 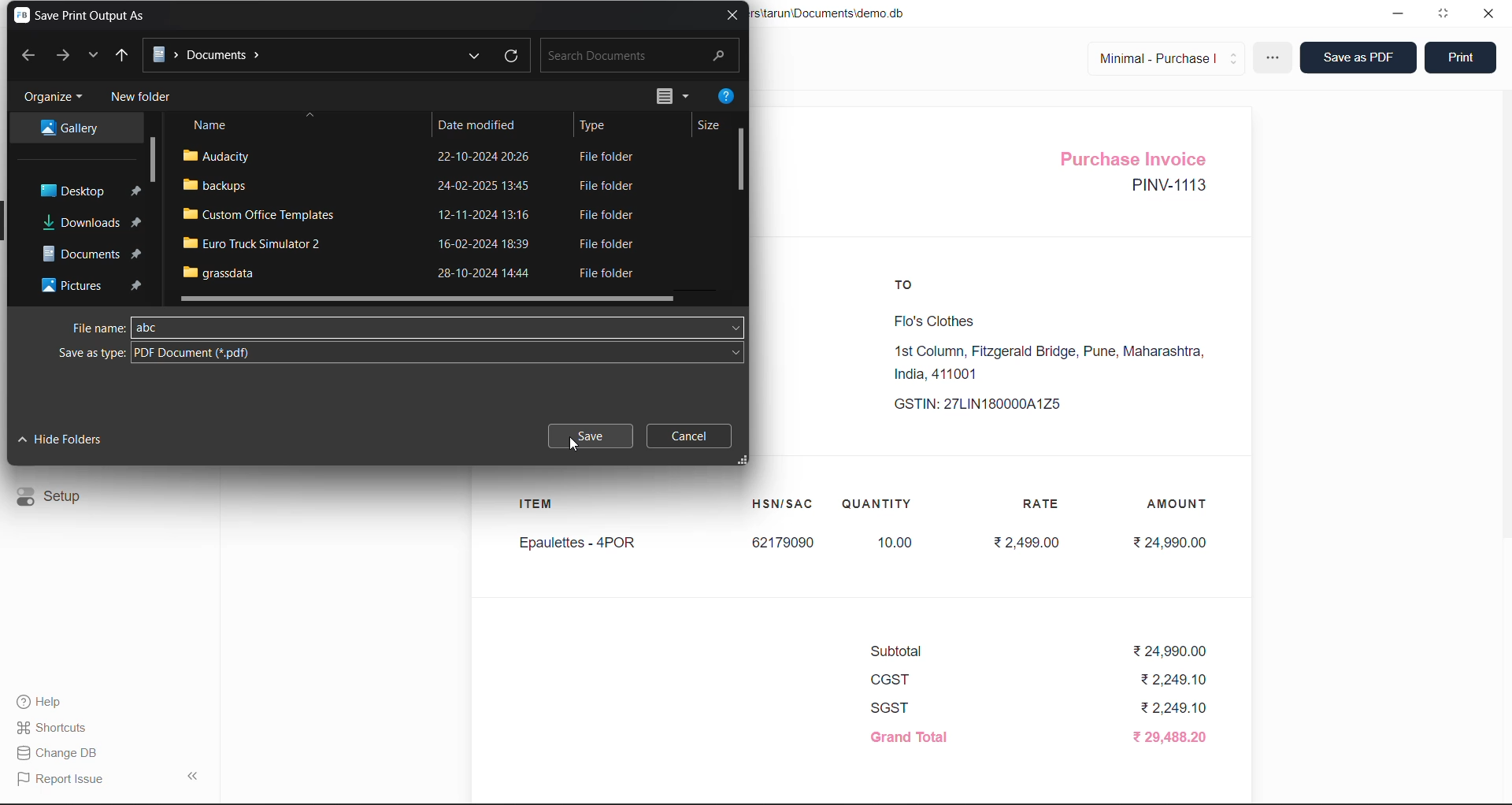 I want to click on Save as type:, so click(x=91, y=355).